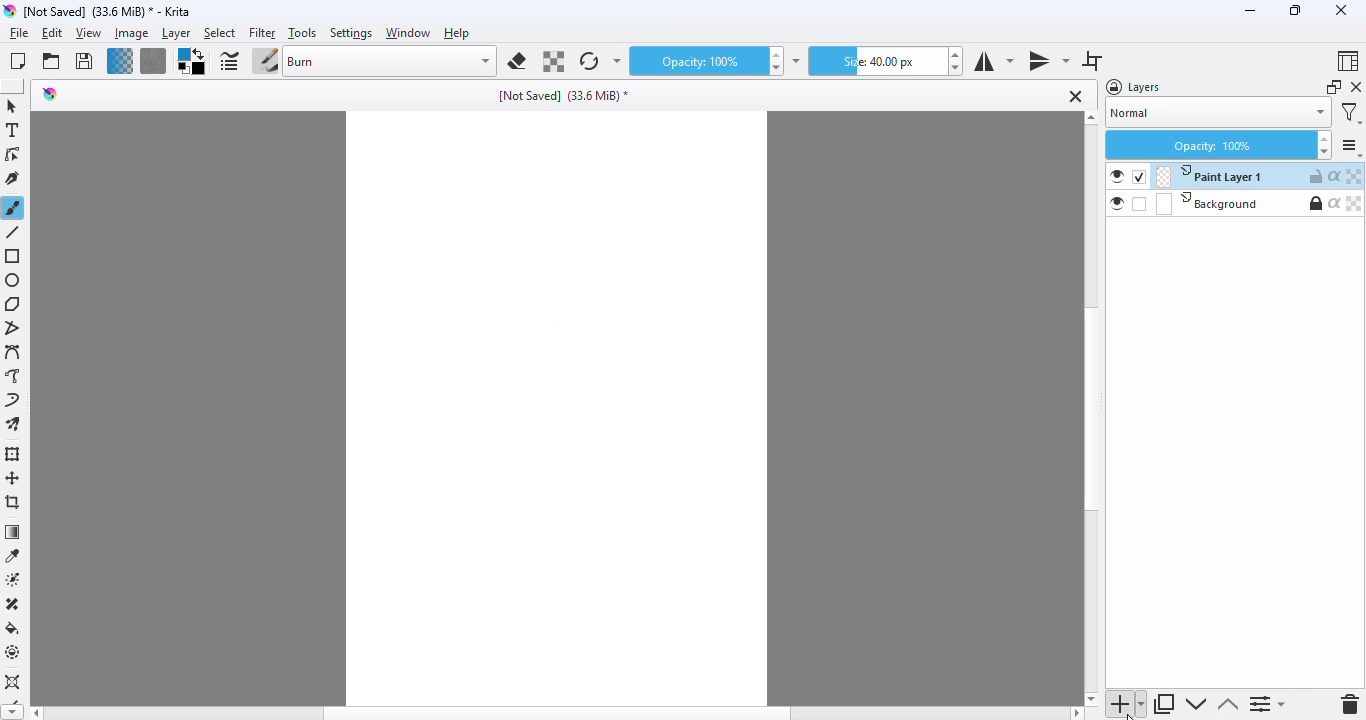 The height and width of the screenshot is (720, 1366). What do you see at coordinates (1130, 715) in the screenshot?
I see `cursor` at bounding box center [1130, 715].